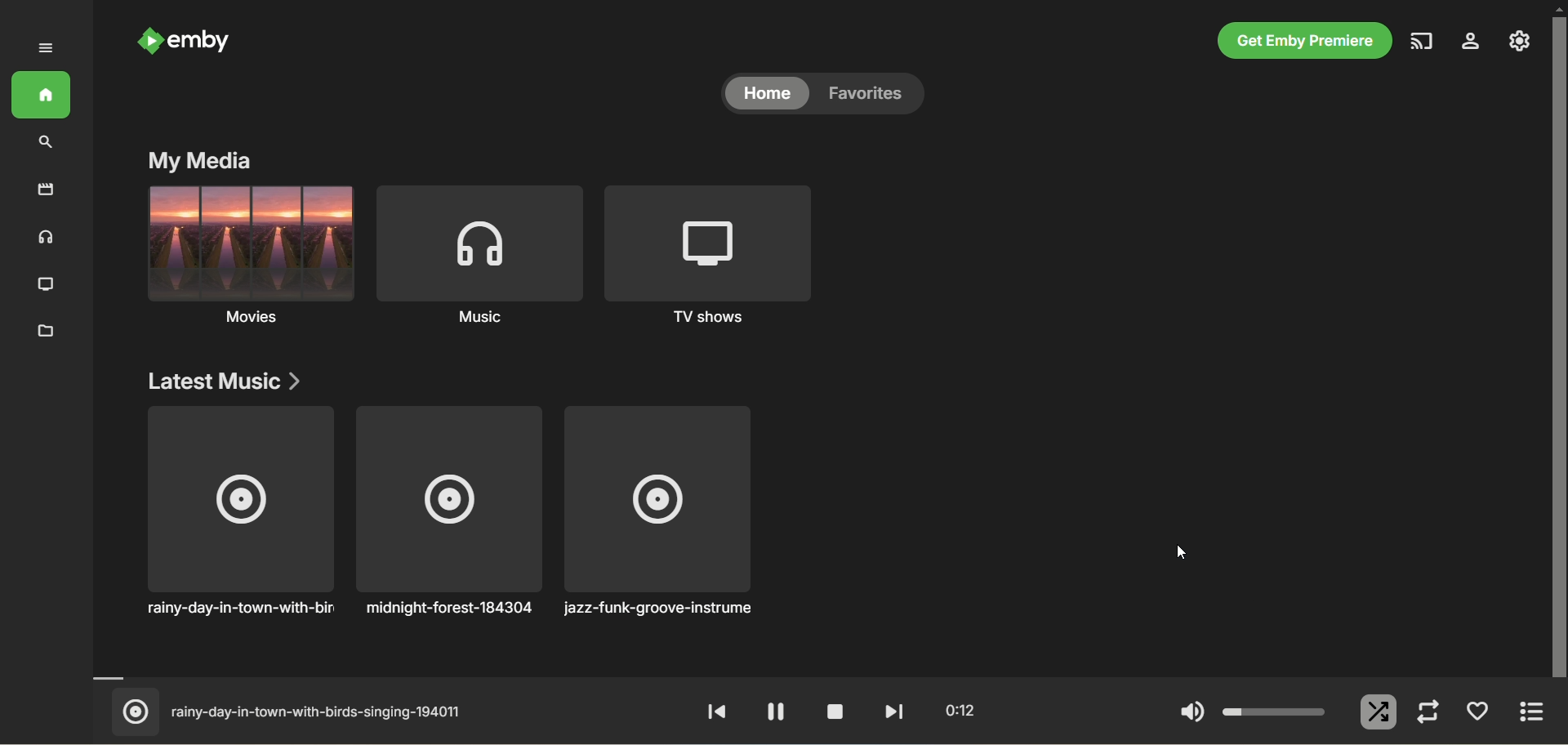 The image size is (1568, 745). What do you see at coordinates (773, 713) in the screenshot?
I see `pause` at bounding box center [773, 713].